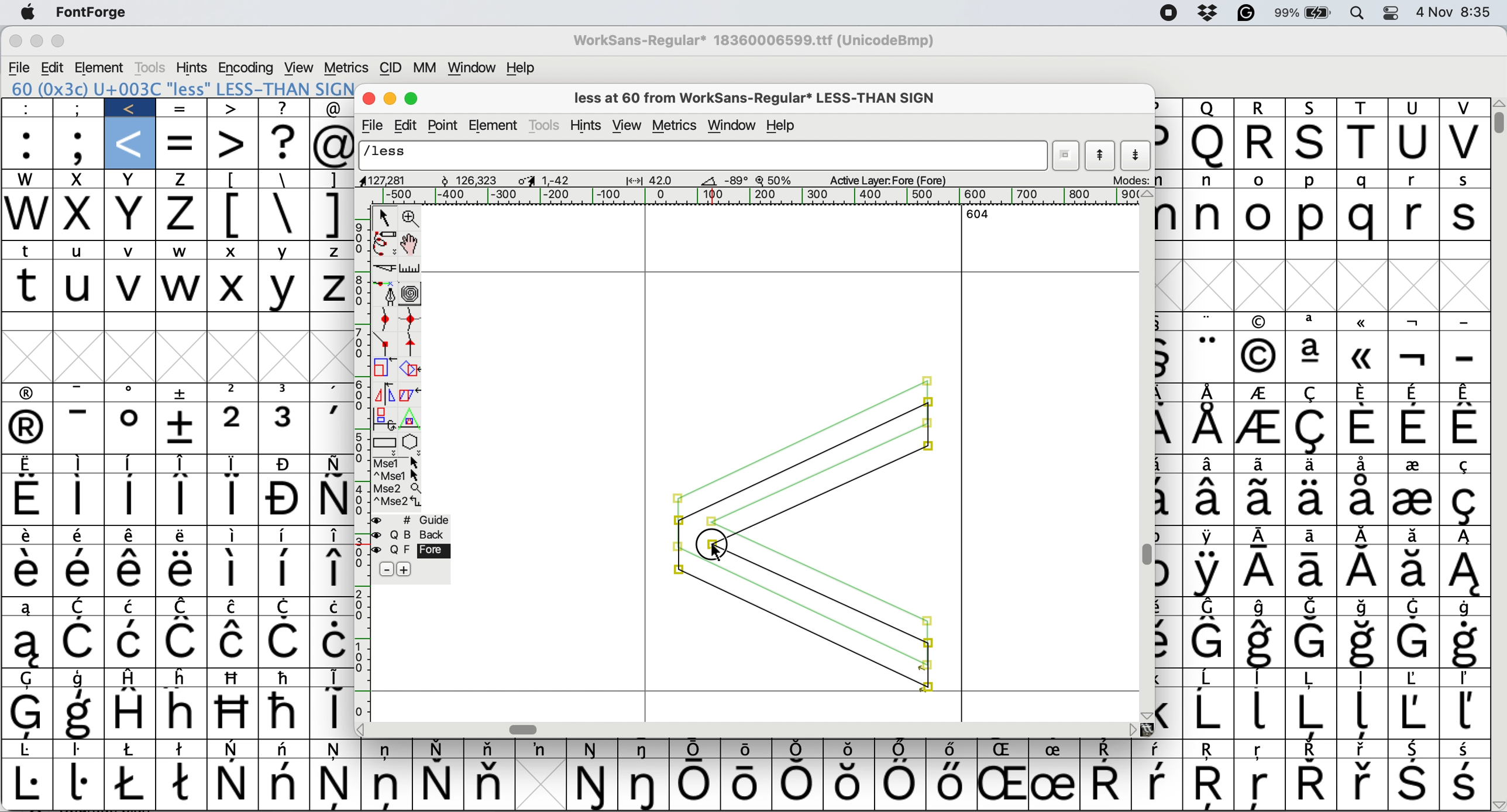  What do you see at coordinates (1364, 108) in the screenshot?
I see `t` at bounding box center [1364, 108].